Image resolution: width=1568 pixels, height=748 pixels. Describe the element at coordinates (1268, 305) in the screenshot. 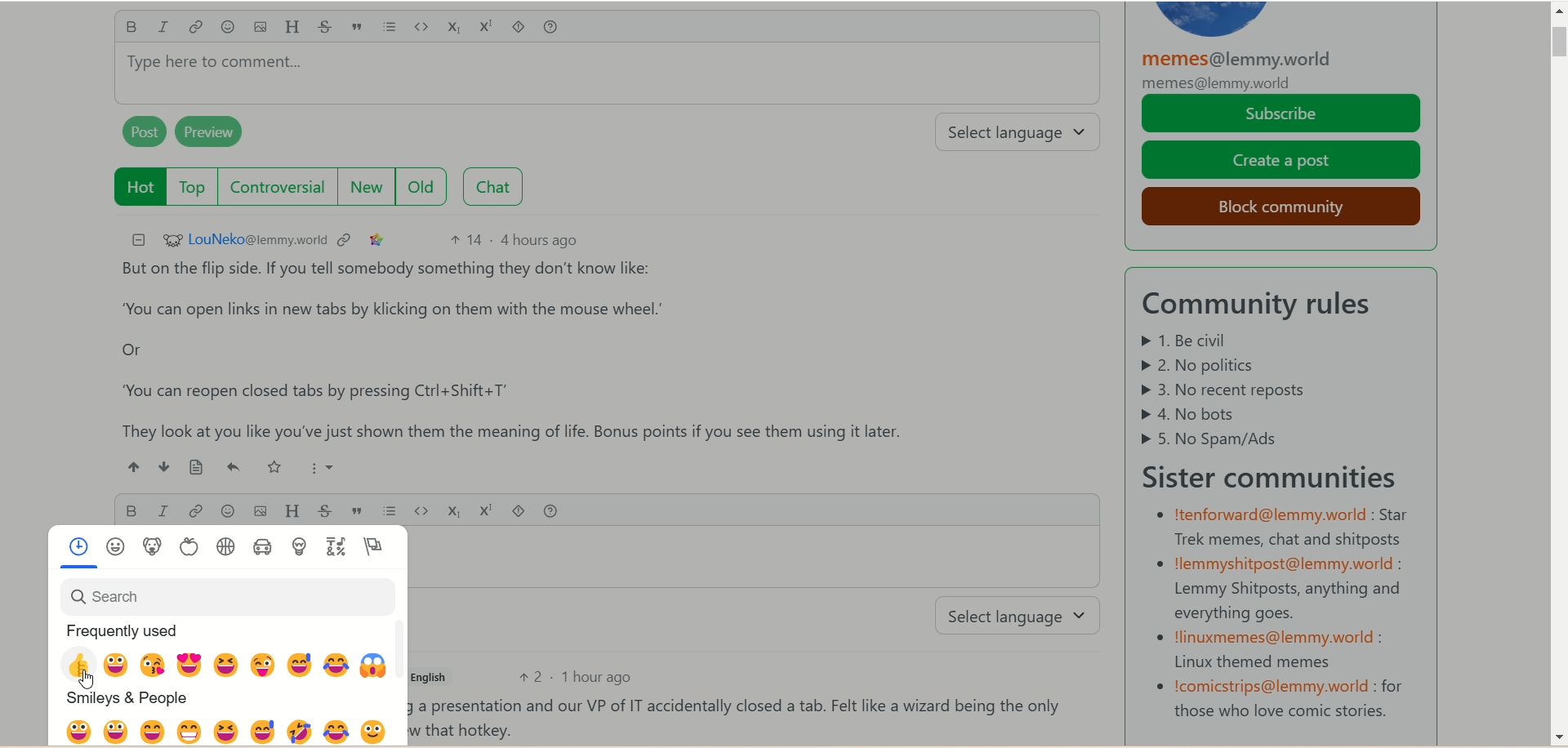

I see `community rules` at that location.